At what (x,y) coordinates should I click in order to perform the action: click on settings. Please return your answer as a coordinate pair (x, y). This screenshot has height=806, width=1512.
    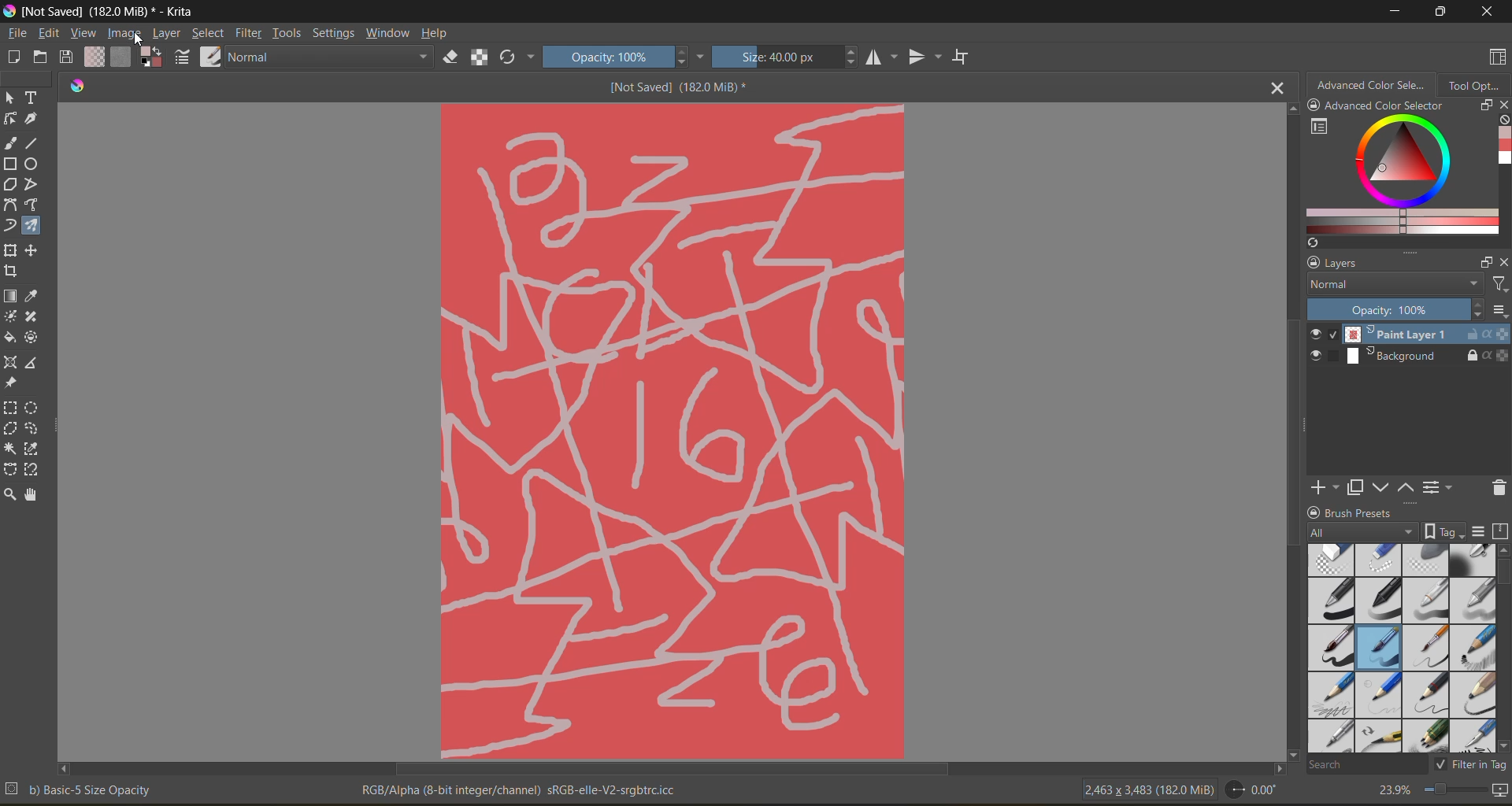
    Looking at the image, I should click on (334, 33).